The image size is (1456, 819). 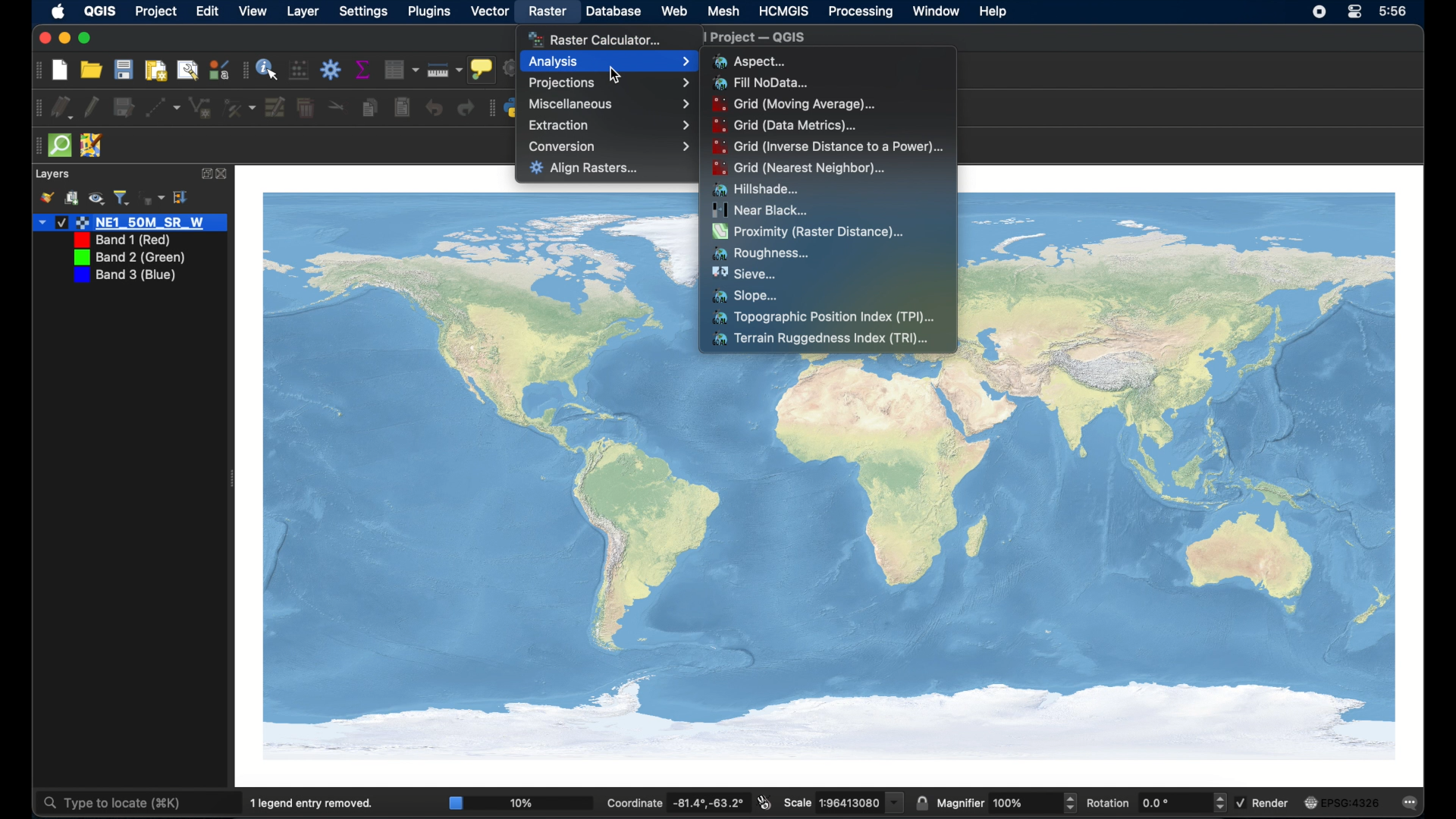 I want to click on toolbar, so click(x=331, y=71).